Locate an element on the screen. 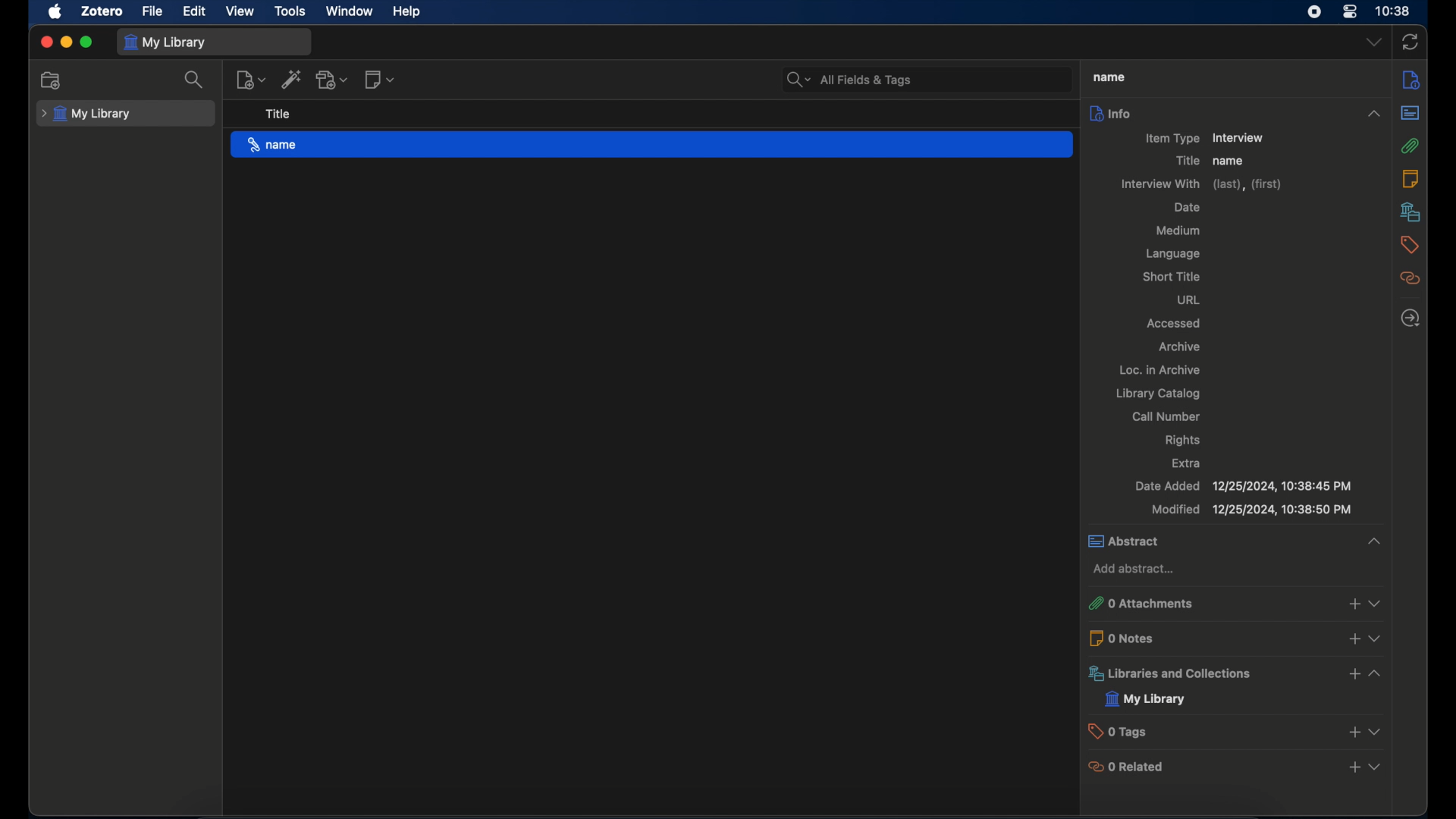  date added  is located at coordinates (1247, 486).